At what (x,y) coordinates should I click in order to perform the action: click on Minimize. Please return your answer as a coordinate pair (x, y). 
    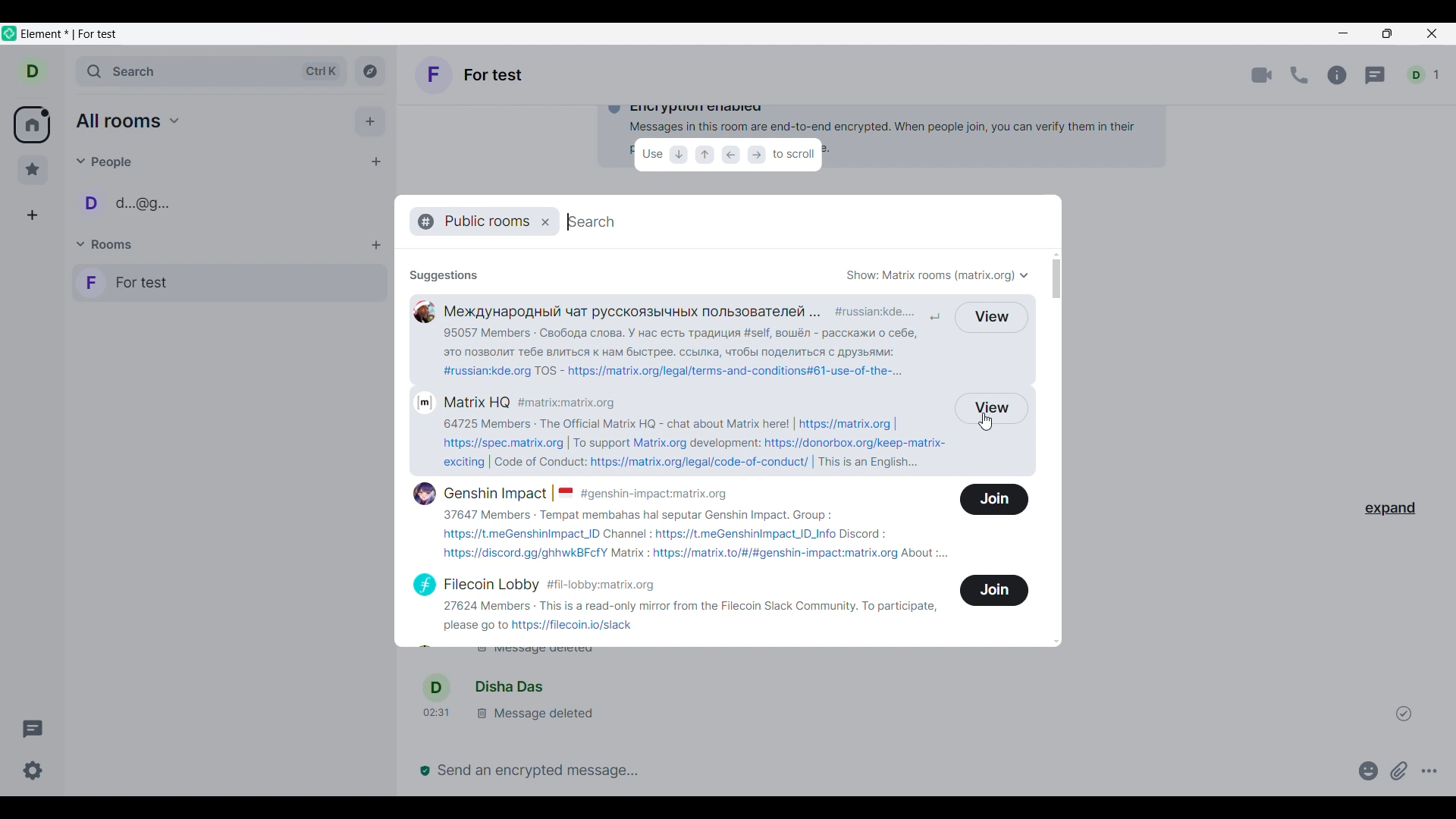
    Looking at the image, I should click on (1345, 36).